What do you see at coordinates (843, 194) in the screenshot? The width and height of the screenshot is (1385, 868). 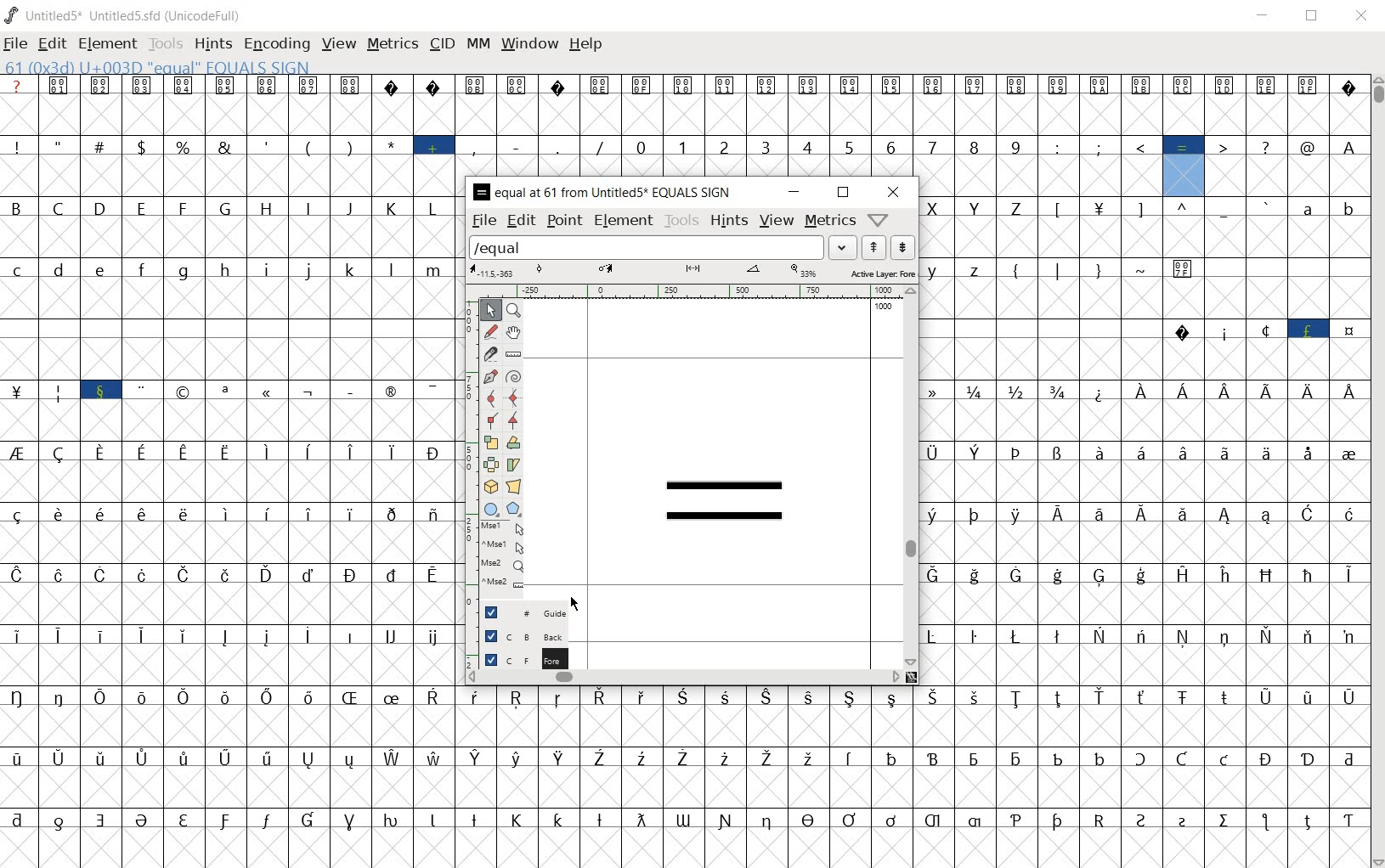 I see `restore down` at bounding box center [843, 194].